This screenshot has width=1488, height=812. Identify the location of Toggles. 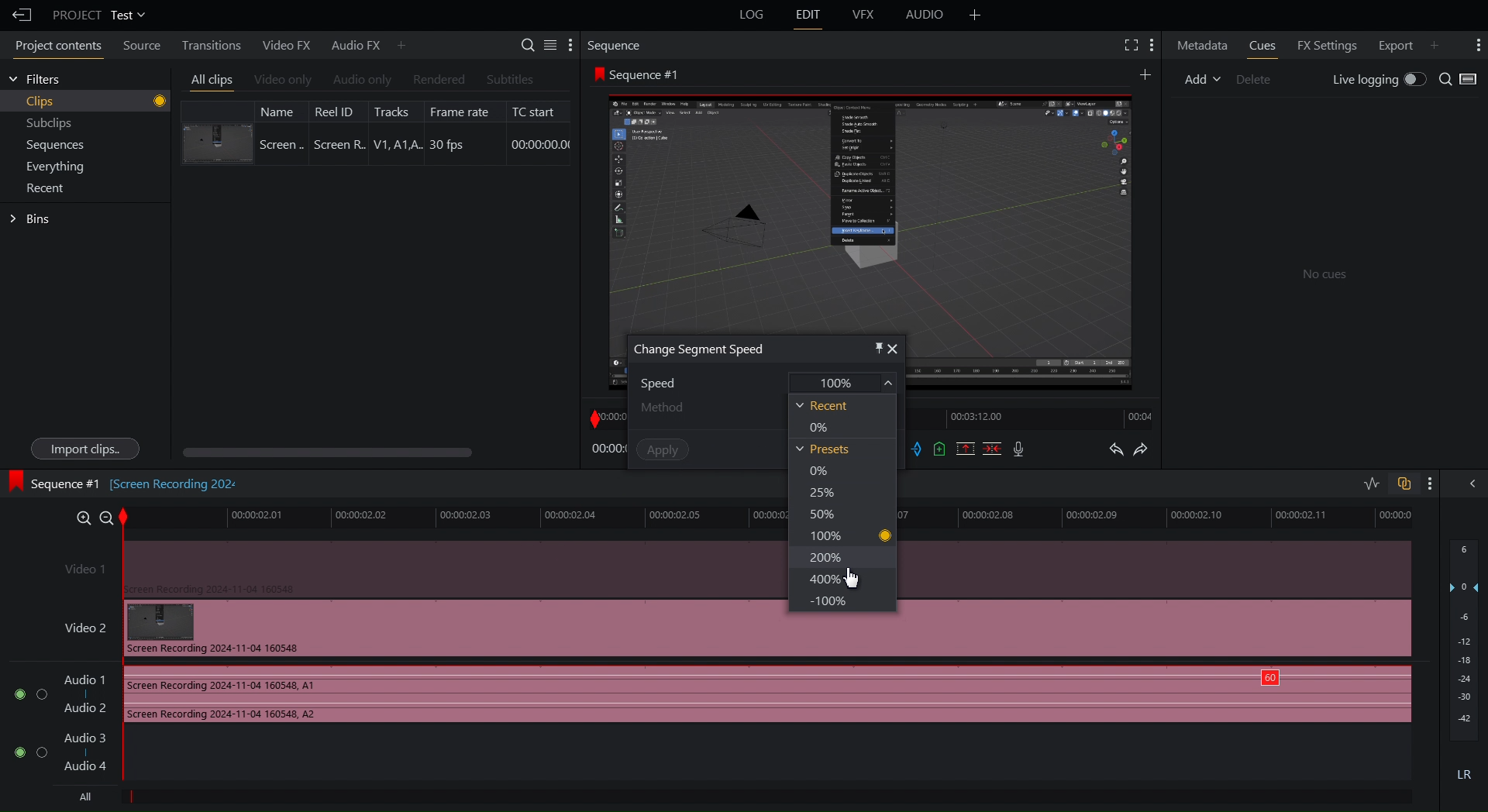
(1387, 485).